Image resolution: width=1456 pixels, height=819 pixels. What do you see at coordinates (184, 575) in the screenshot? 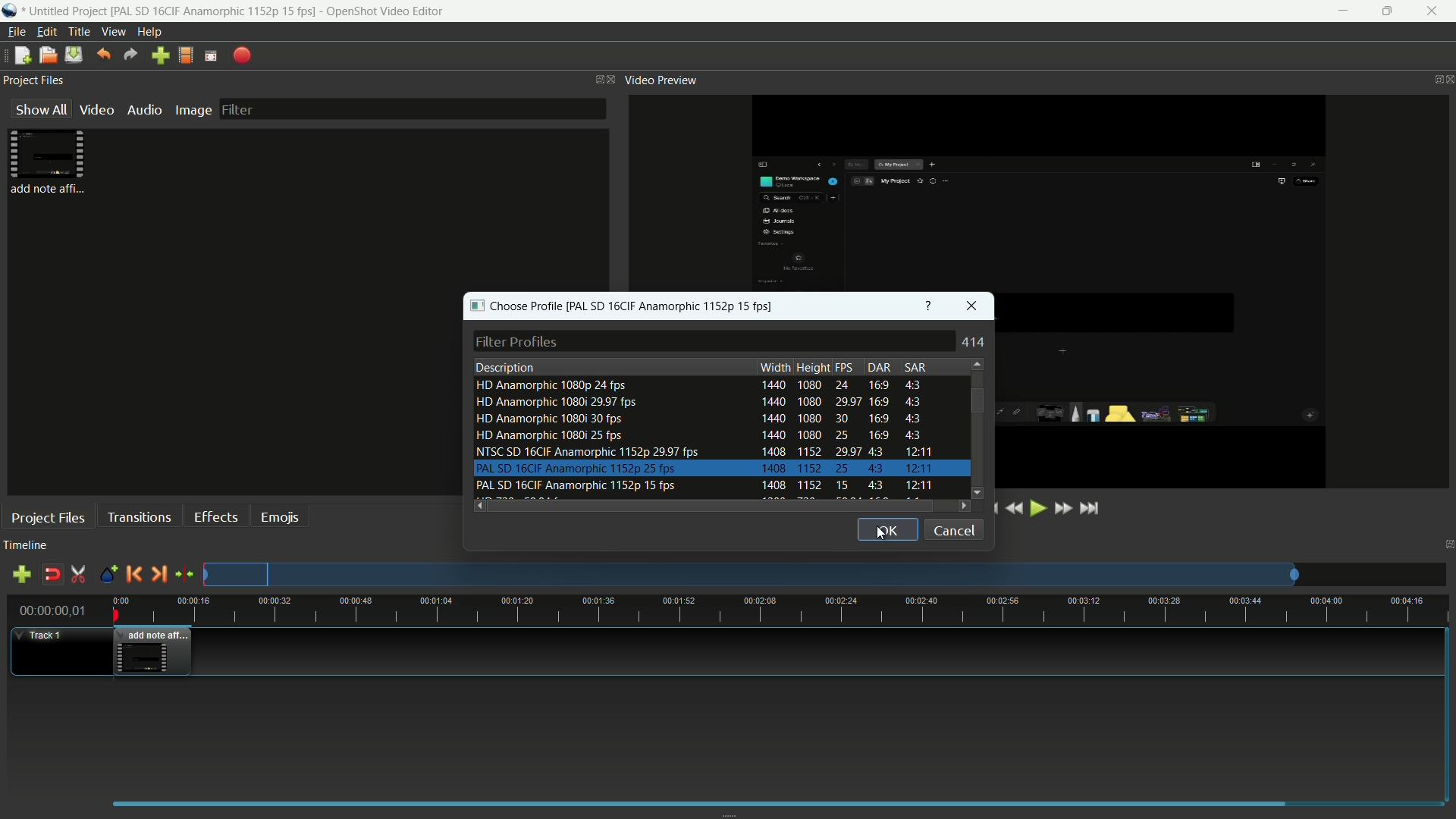
I see `center the timeline on the playhead` at bounding box center [184, 575].